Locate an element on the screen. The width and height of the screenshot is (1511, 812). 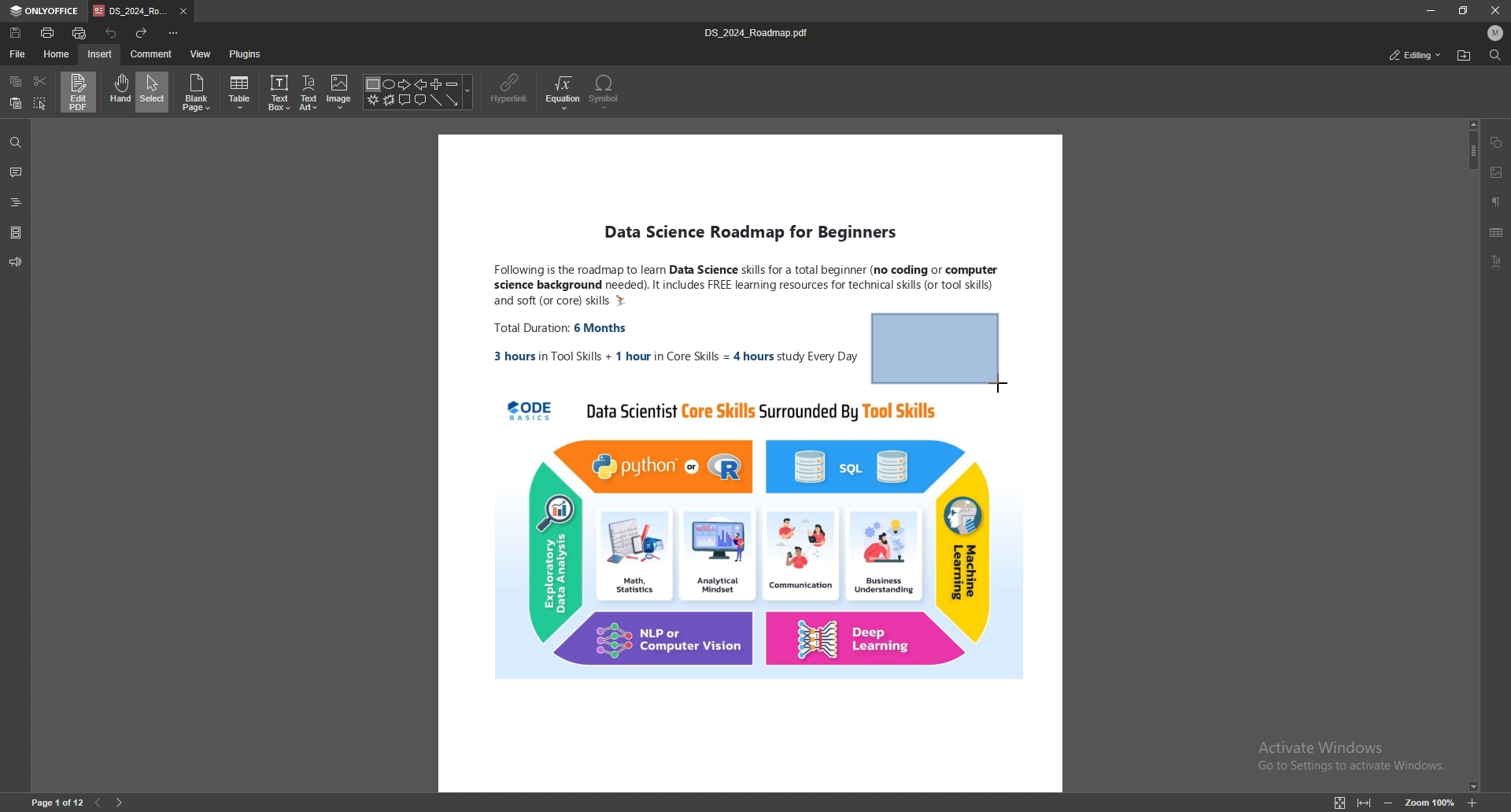
find is located at coordinates (15, 142).